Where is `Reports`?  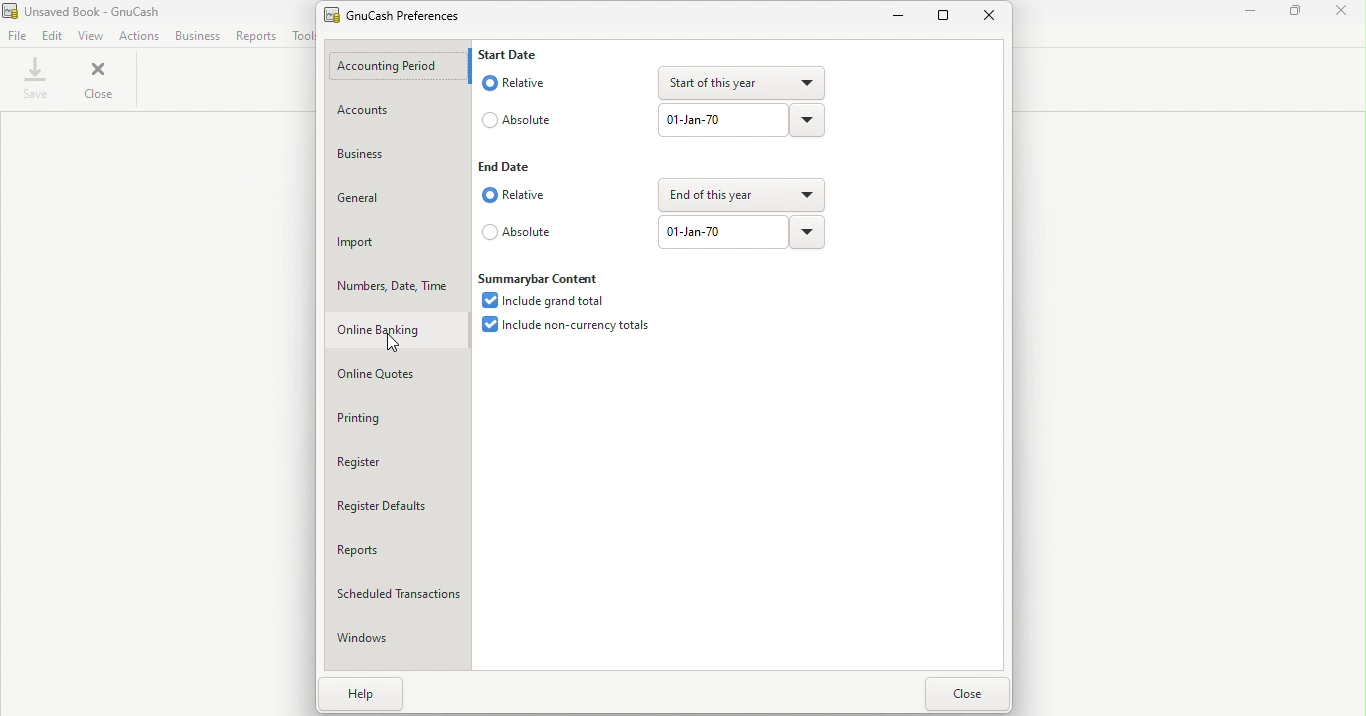 Reports is located at coordinates (399, 550).